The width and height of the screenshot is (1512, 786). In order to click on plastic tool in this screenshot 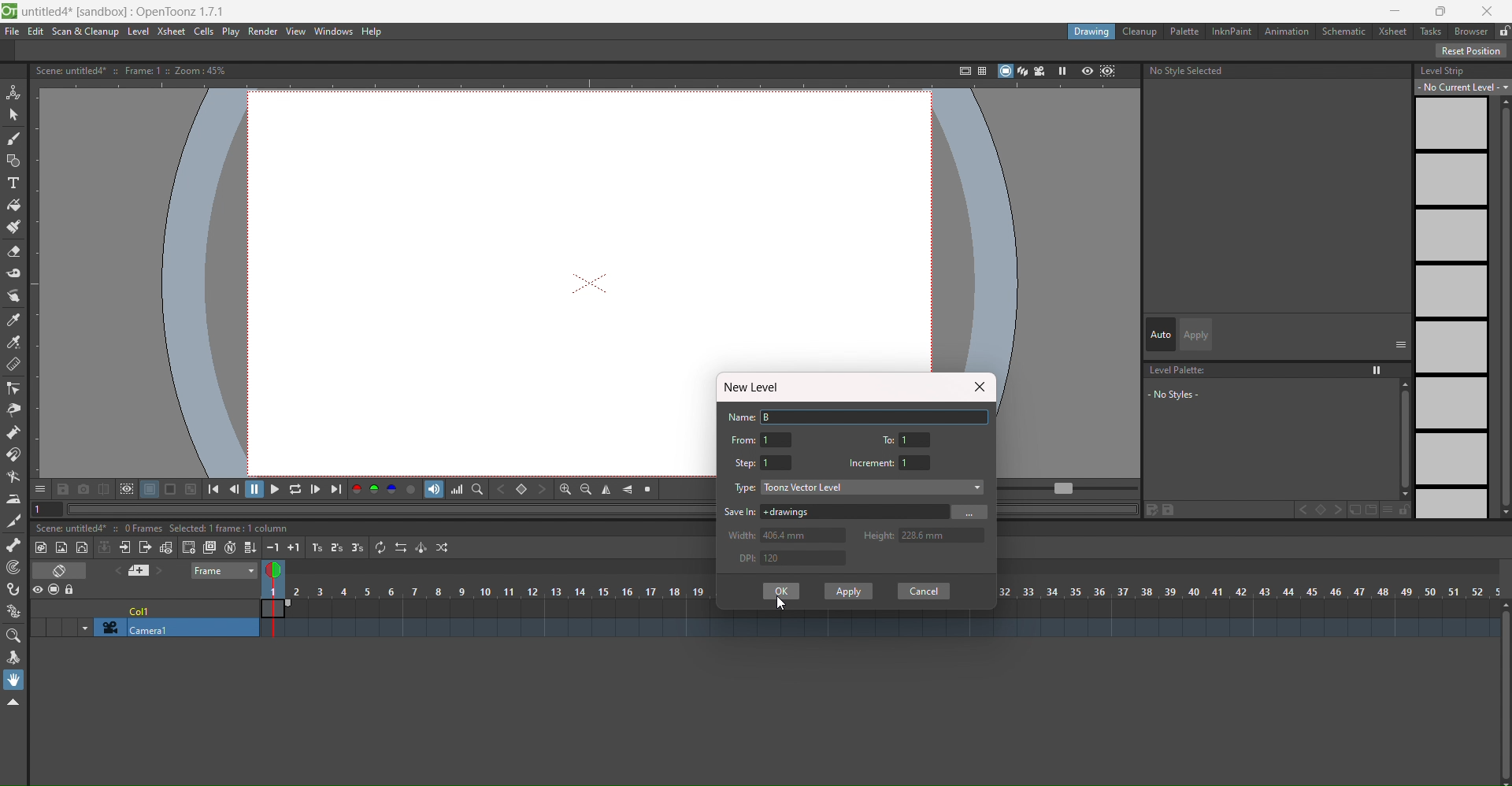, I will do `click(13, 612)`.